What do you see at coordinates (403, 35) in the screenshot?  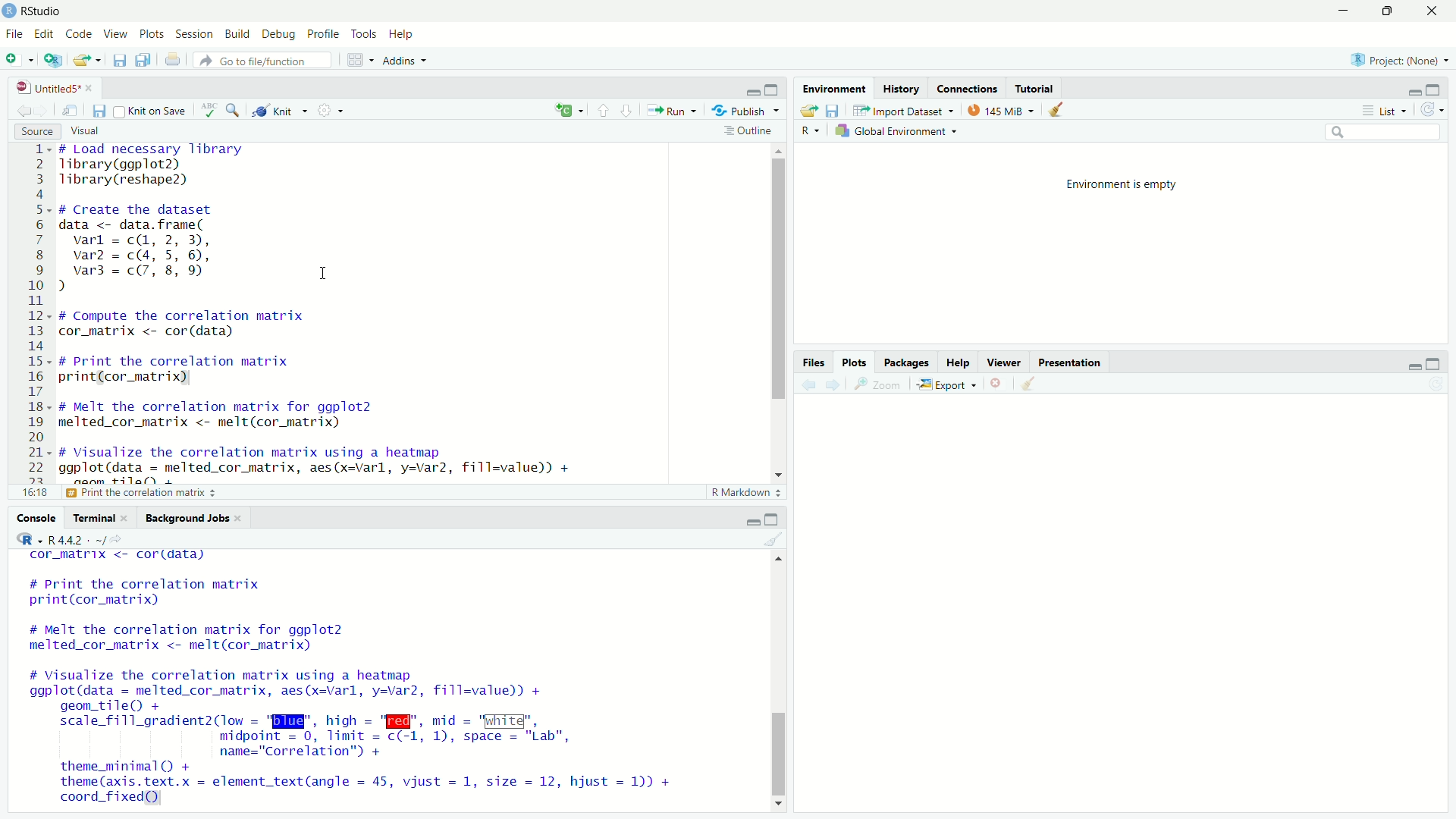 I see `help` at bounding box center [403, 35].